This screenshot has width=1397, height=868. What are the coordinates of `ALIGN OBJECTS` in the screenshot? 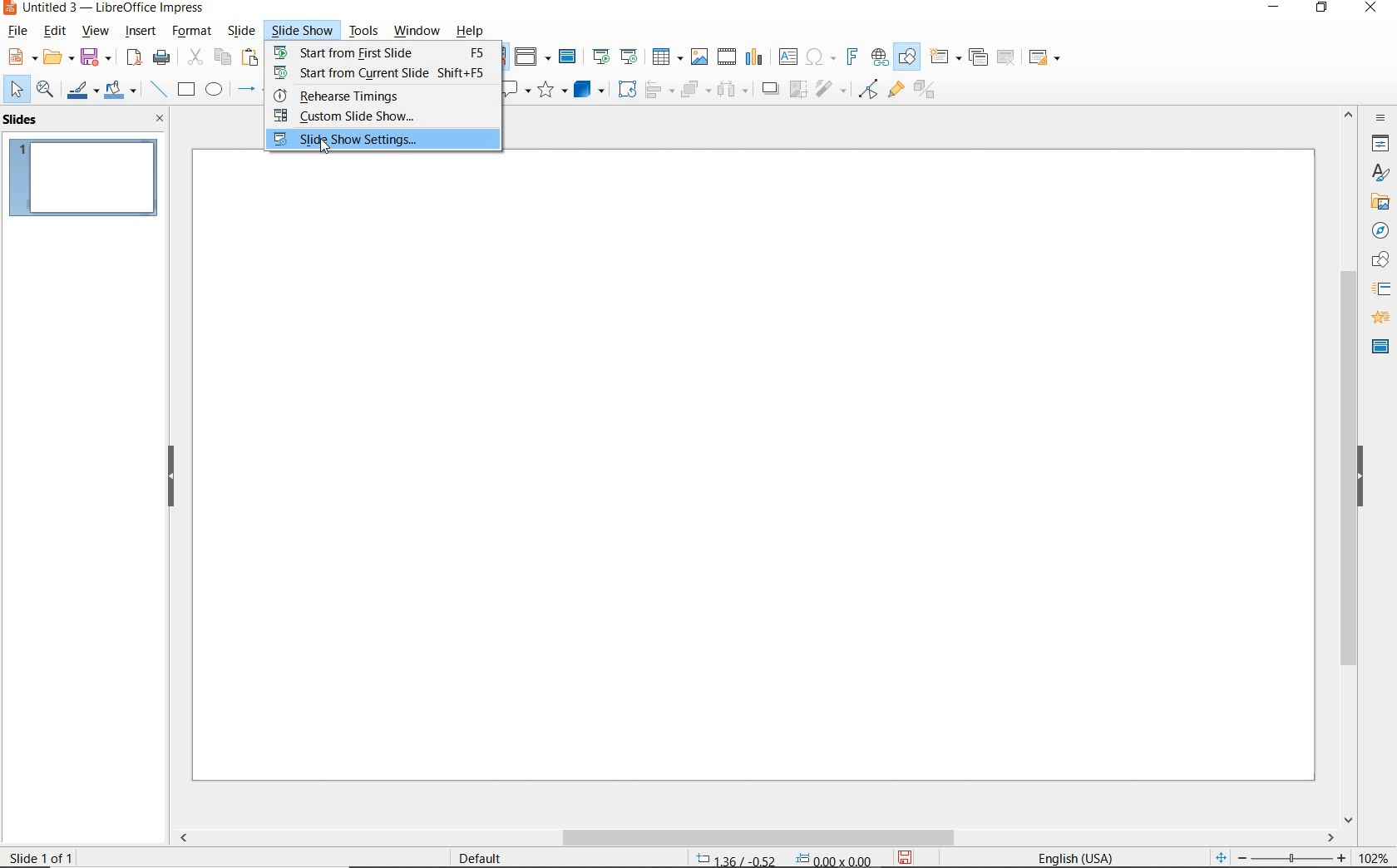 It's located at (655, 90).